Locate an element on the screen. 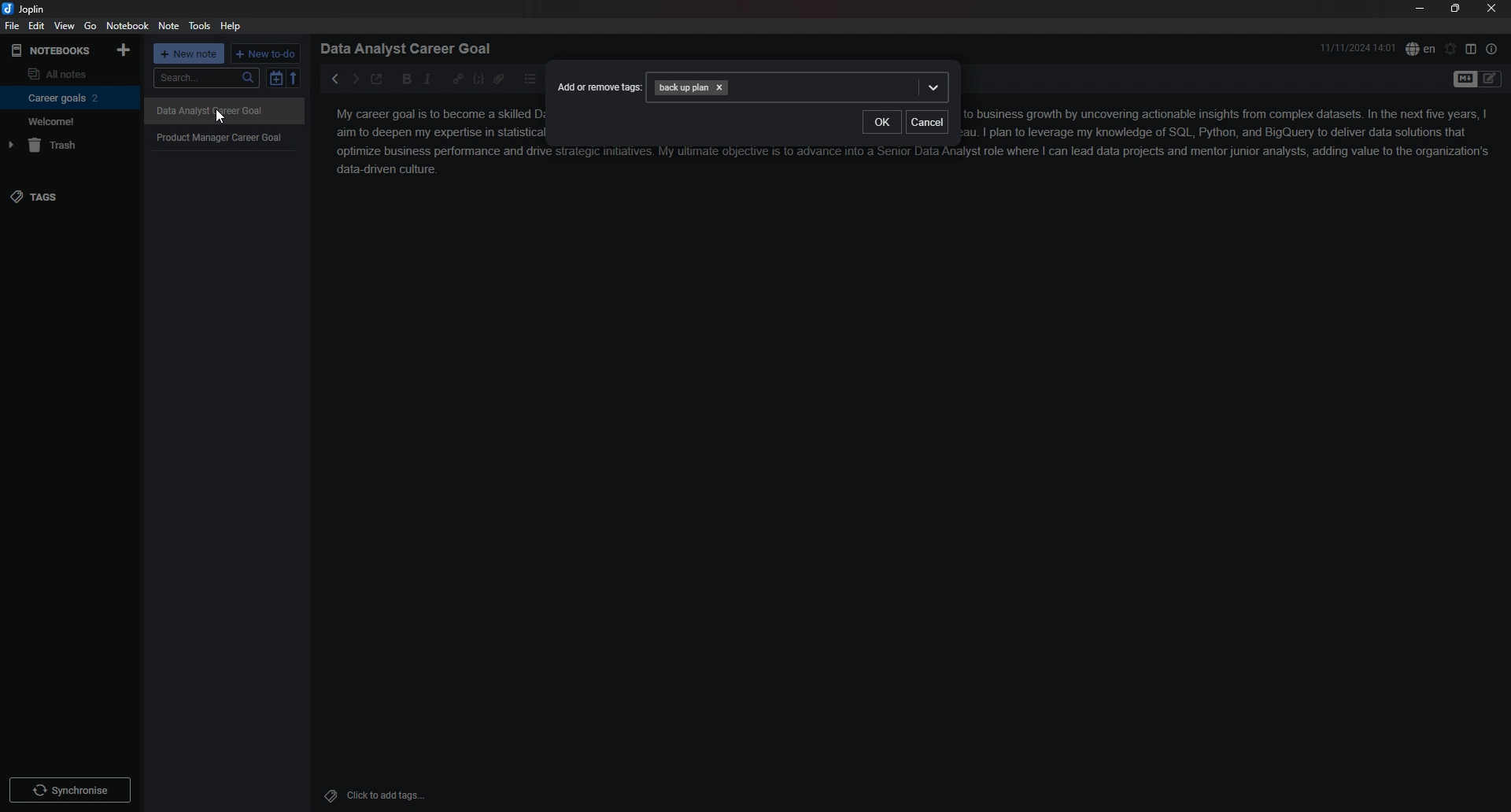 This screenshot has height=812, width=1511. note is located at coordinates (170, 25).